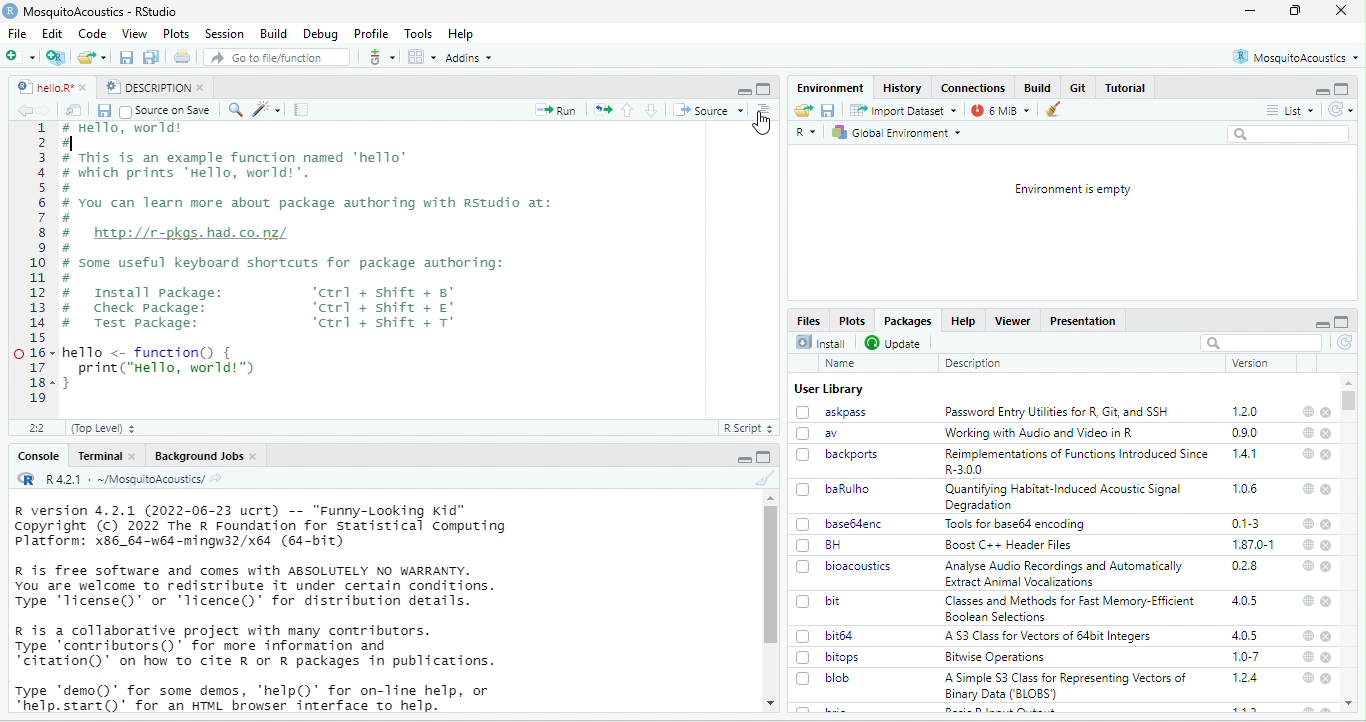 The width and height of the screenshot is (1366, 722). I want to click on maximize, so click(743, 457).